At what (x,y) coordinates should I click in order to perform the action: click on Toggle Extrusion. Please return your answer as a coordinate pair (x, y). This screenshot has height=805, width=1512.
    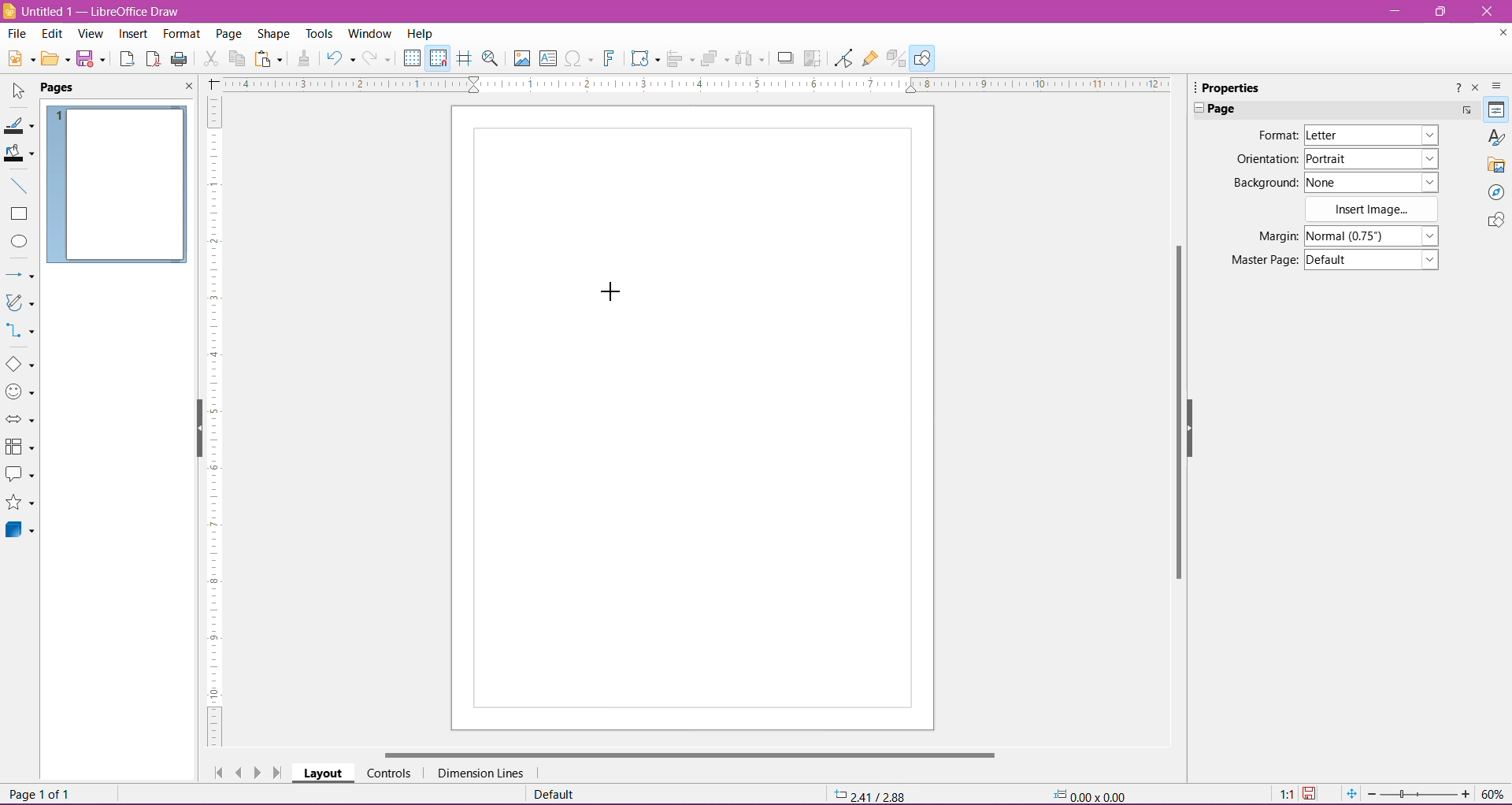
    Looking at the image, I should click on (897, 58).